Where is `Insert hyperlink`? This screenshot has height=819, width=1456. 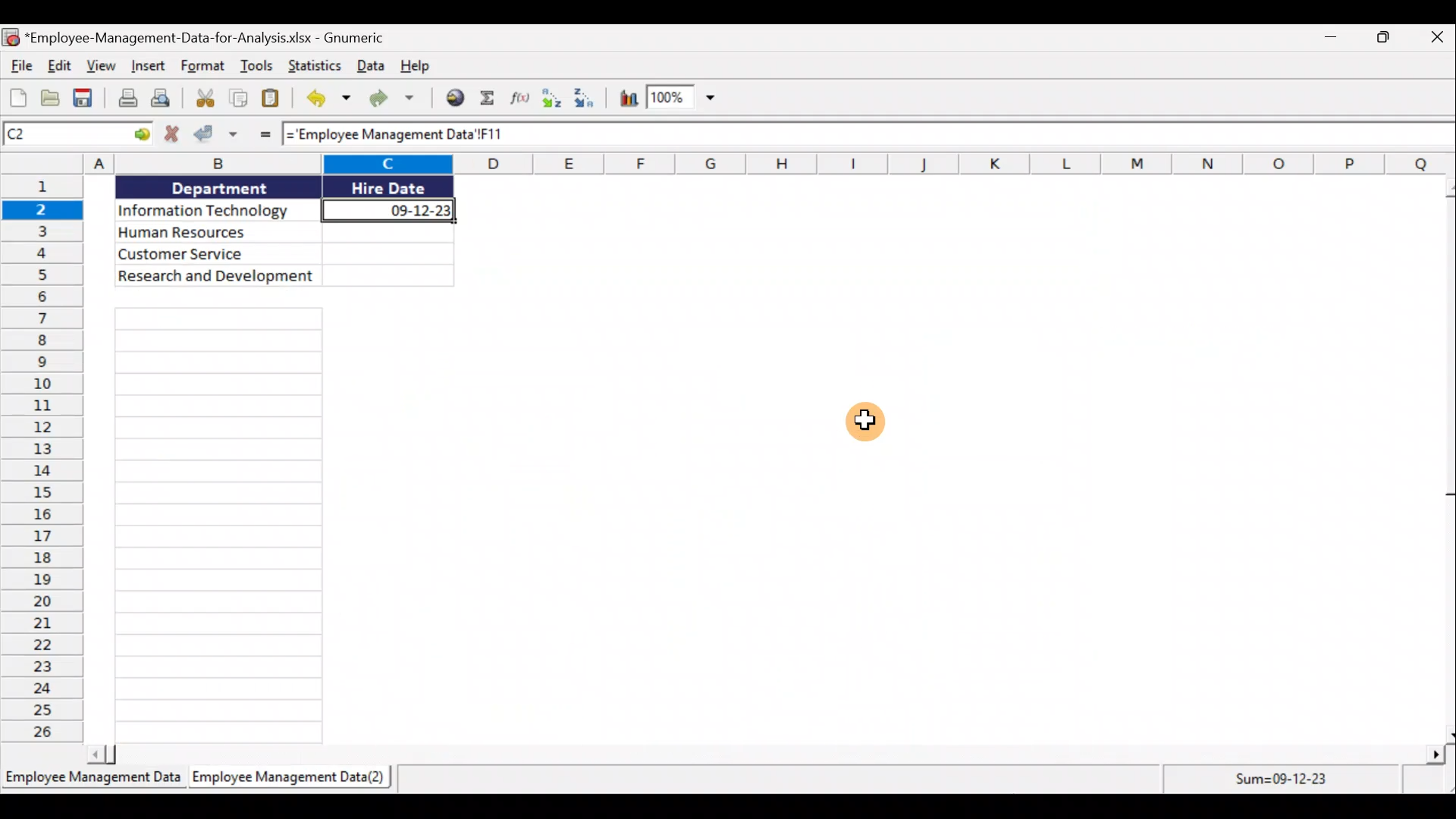
Insert hyperlink is located at coordinates (457, 96).